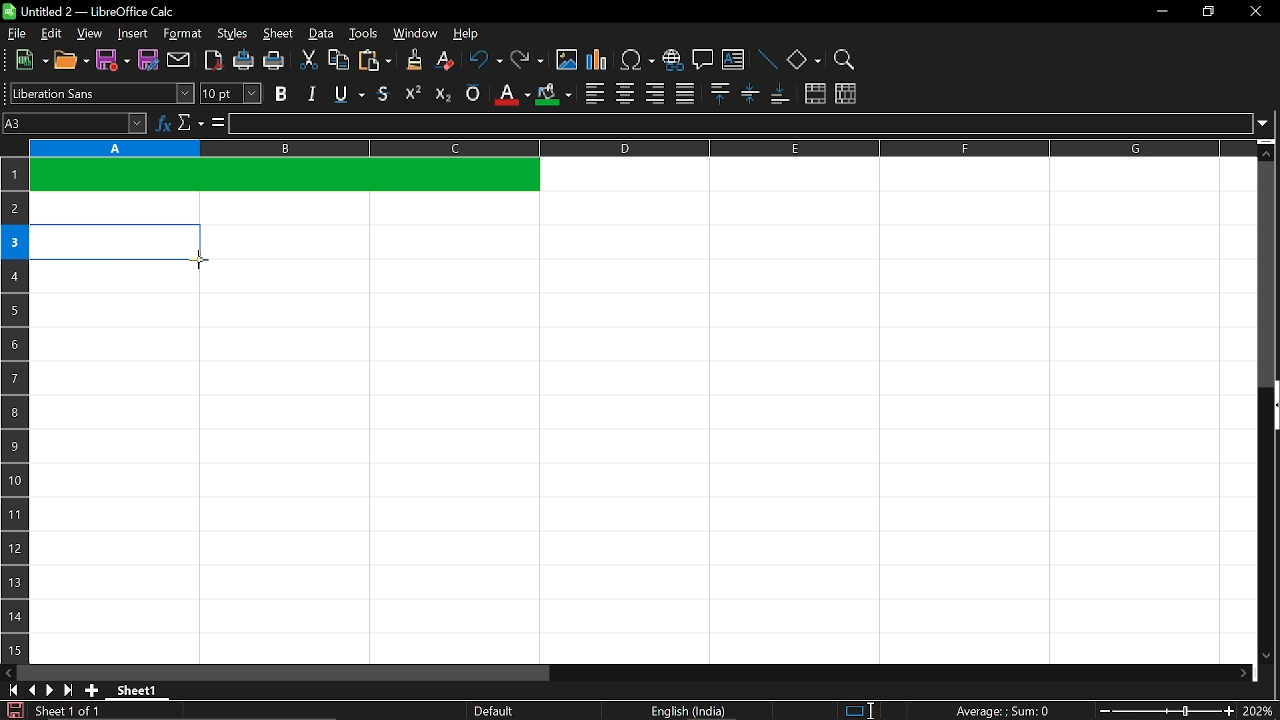  Describe the element at coordinates (473, 94) in the screenshot. I see `overline` at that location.